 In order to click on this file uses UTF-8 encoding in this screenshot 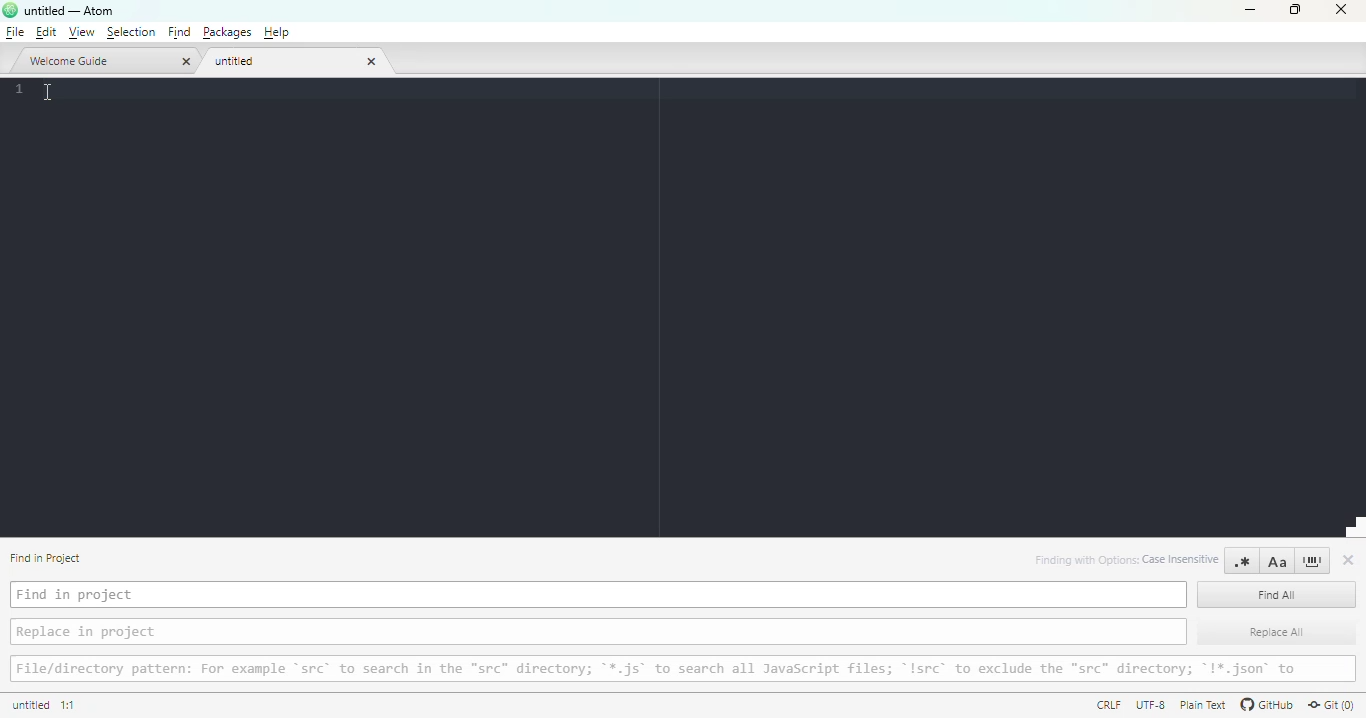, I will do `click(1148, 703)`.